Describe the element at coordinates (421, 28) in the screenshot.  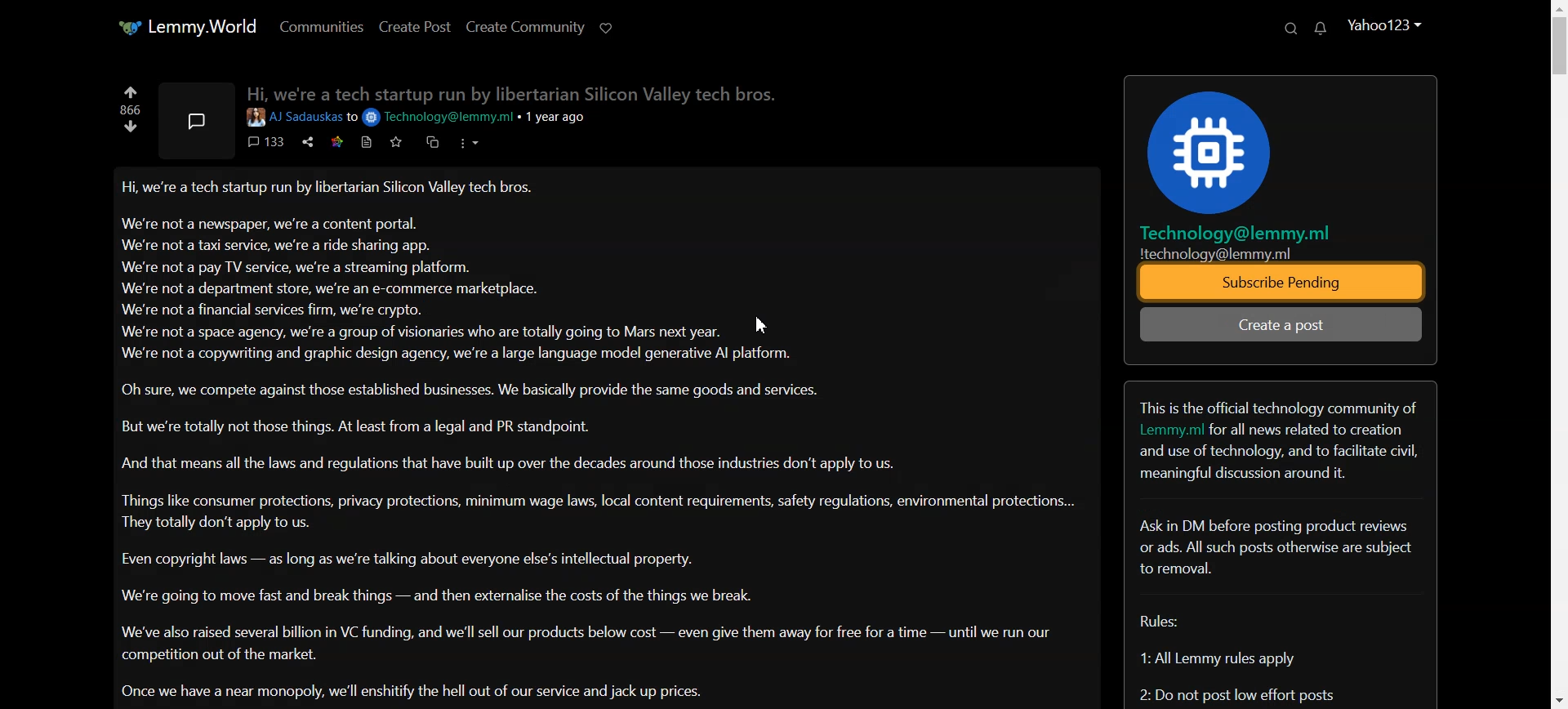
I see `Create Post` at that location.